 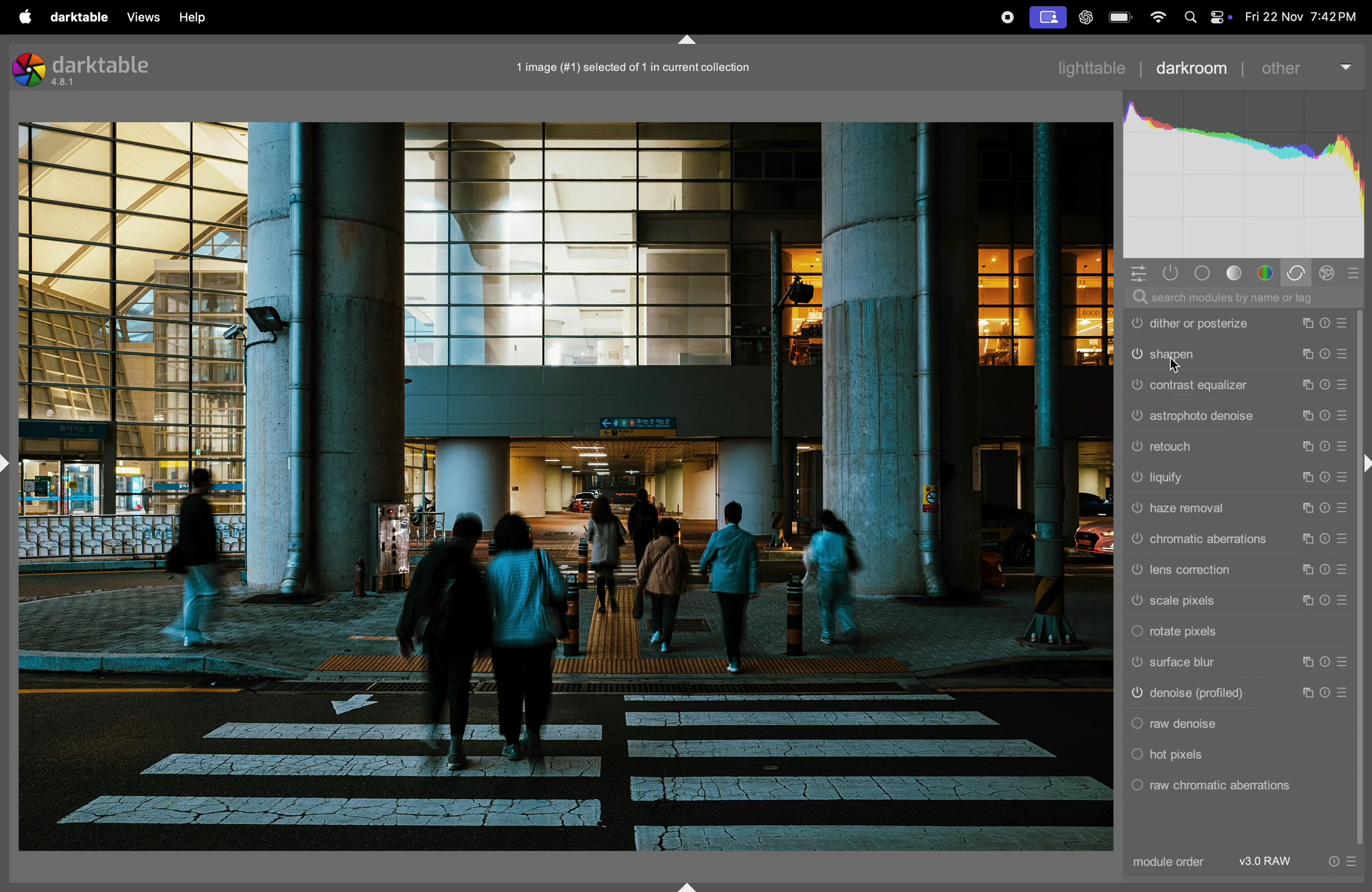 What do you see at coordinates (78, 17) in the screenshot?
I see `darktable` at bounding box center [78, 17].